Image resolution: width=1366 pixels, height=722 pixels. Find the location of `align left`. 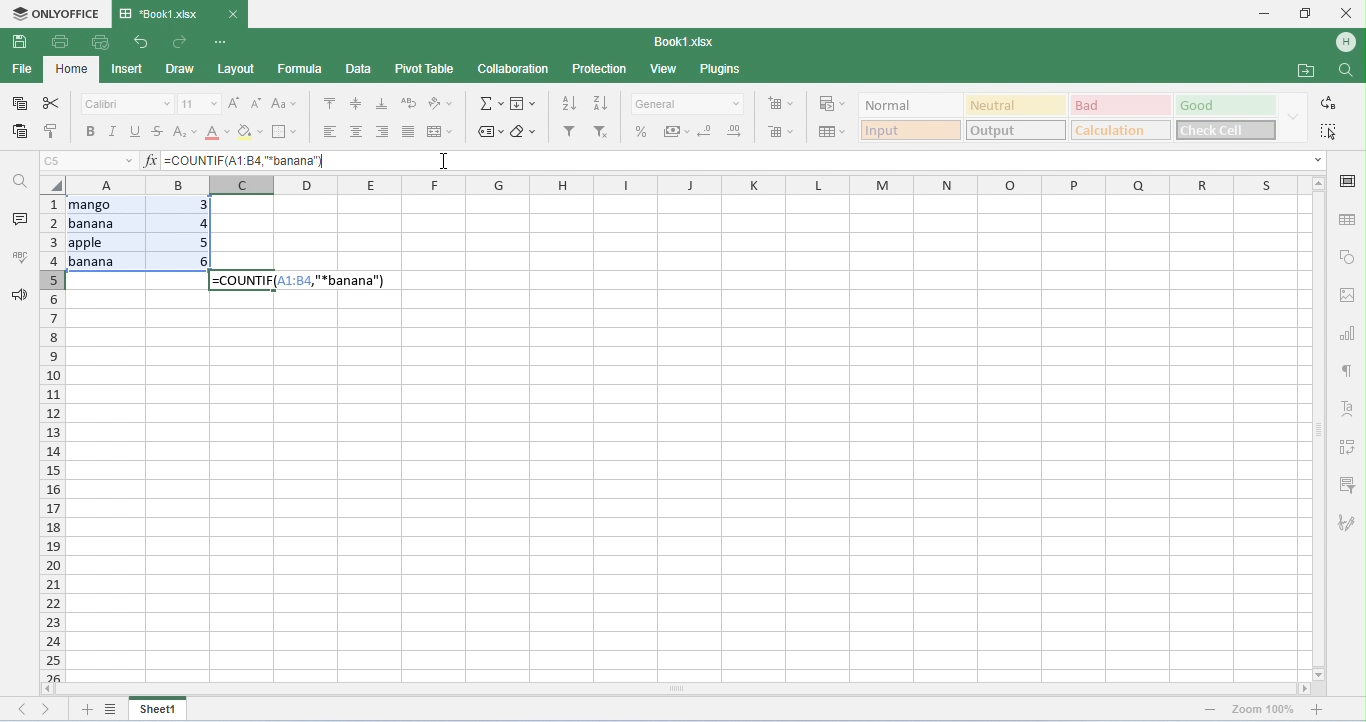

align left is located at coordinates (332, 133).